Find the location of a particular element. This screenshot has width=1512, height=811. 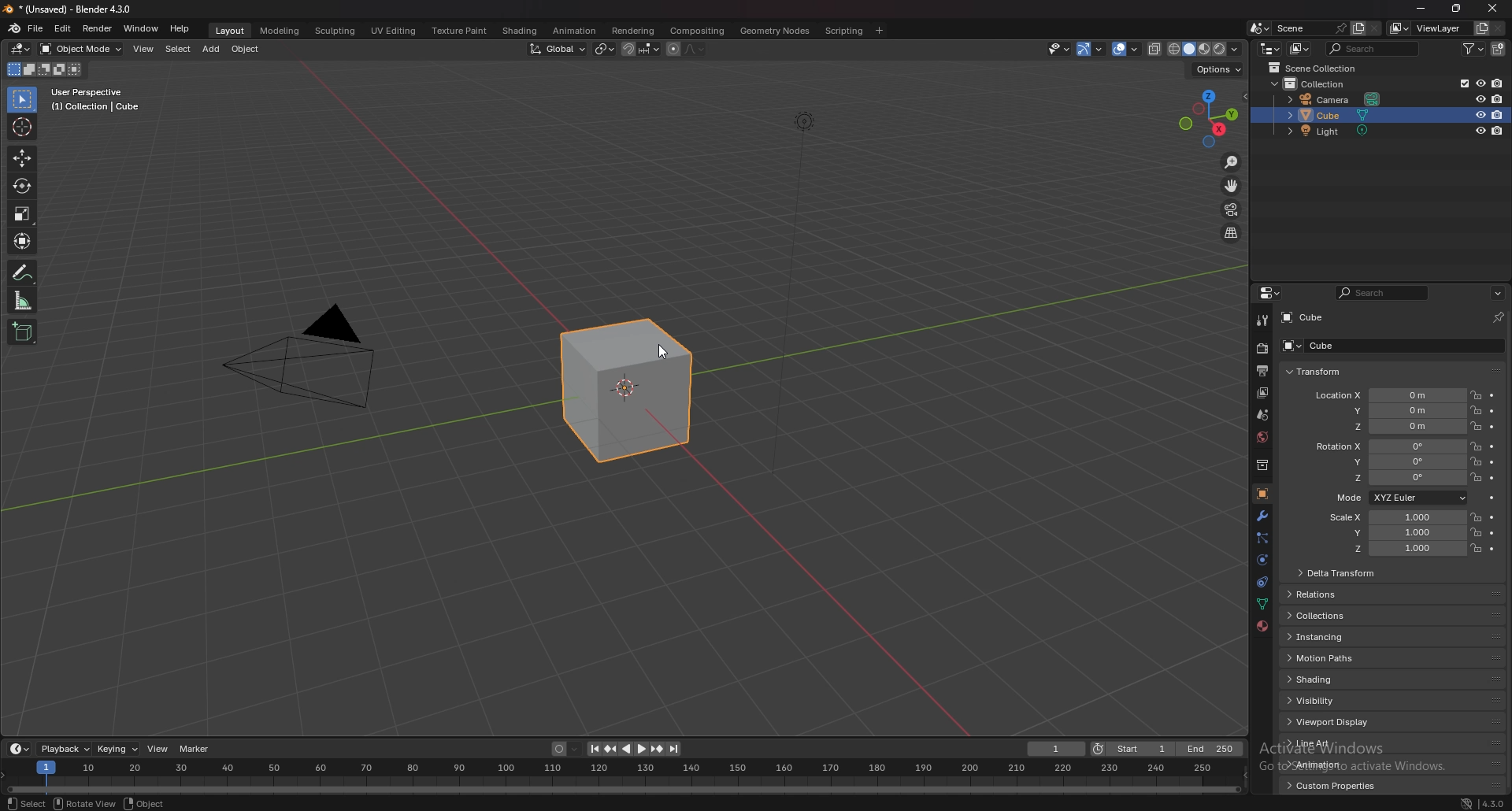

location x is located at coordinates (1385, 395).